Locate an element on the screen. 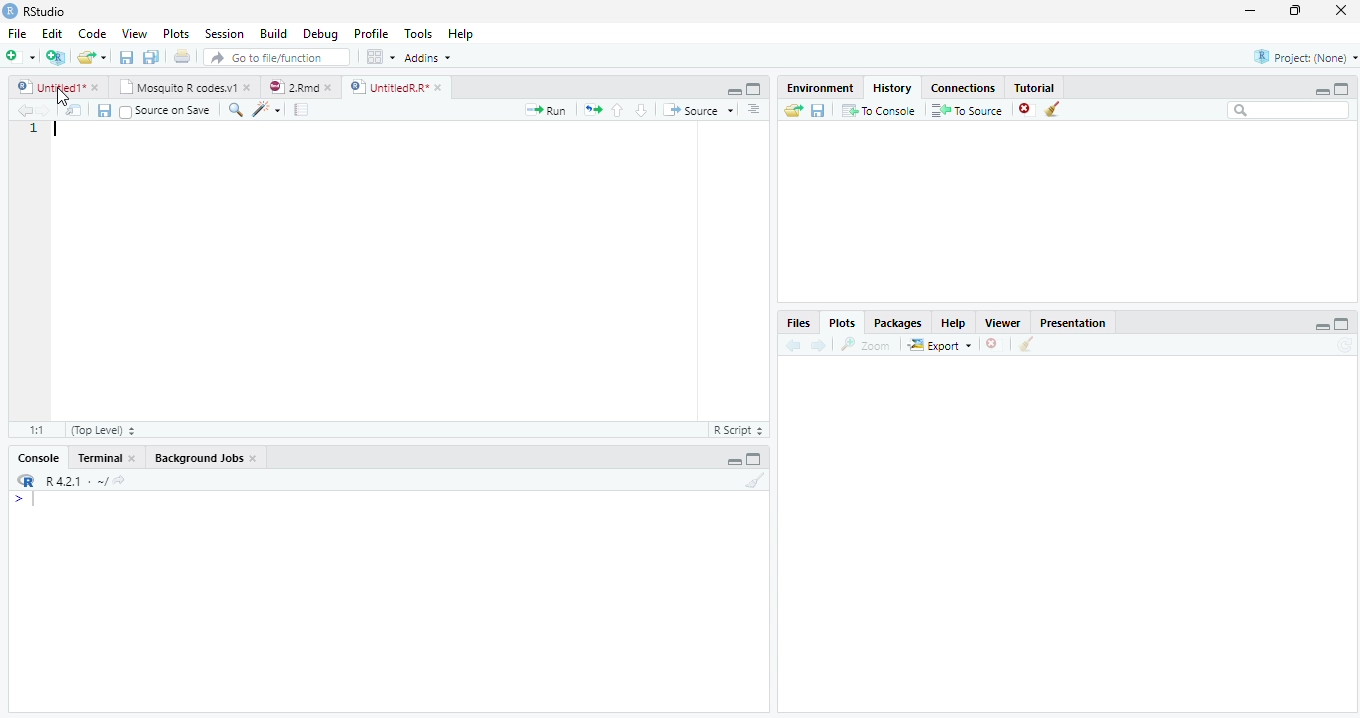 This screenshot has height=718, width=1360. Minimize is located at coordinates (1251, 10).